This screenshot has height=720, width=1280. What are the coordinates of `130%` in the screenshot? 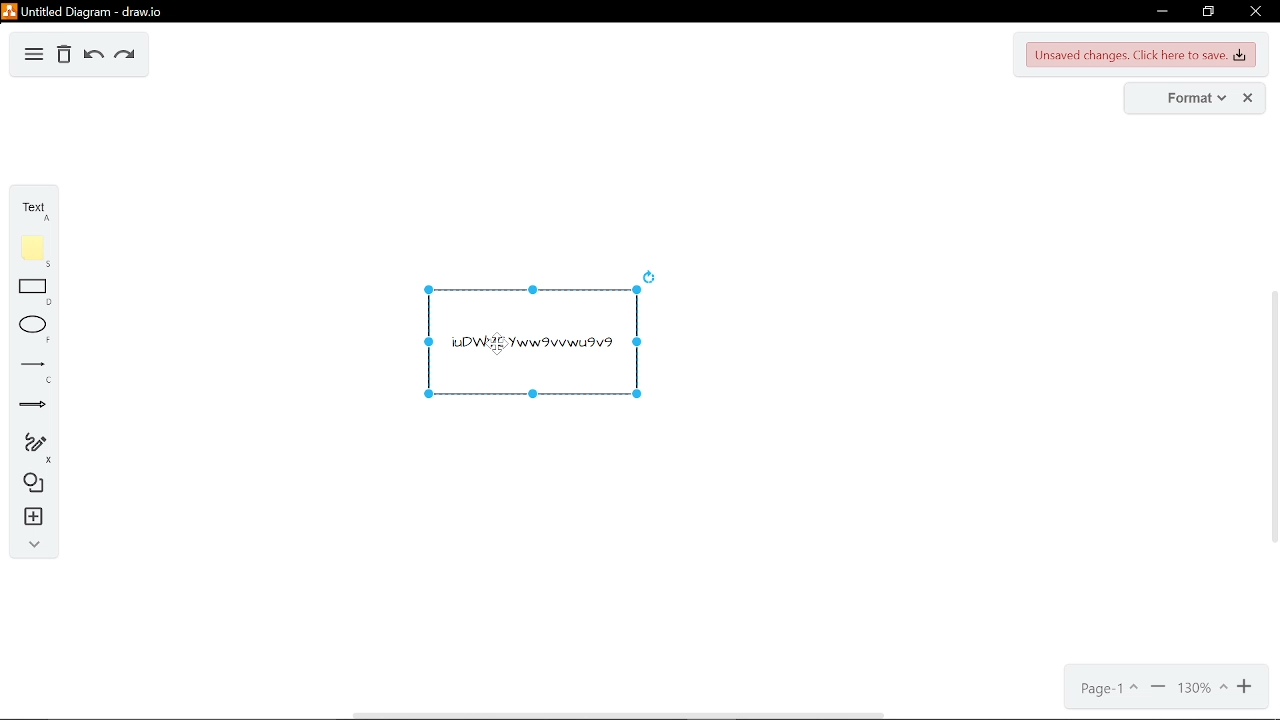 It's located at (1201, 690).